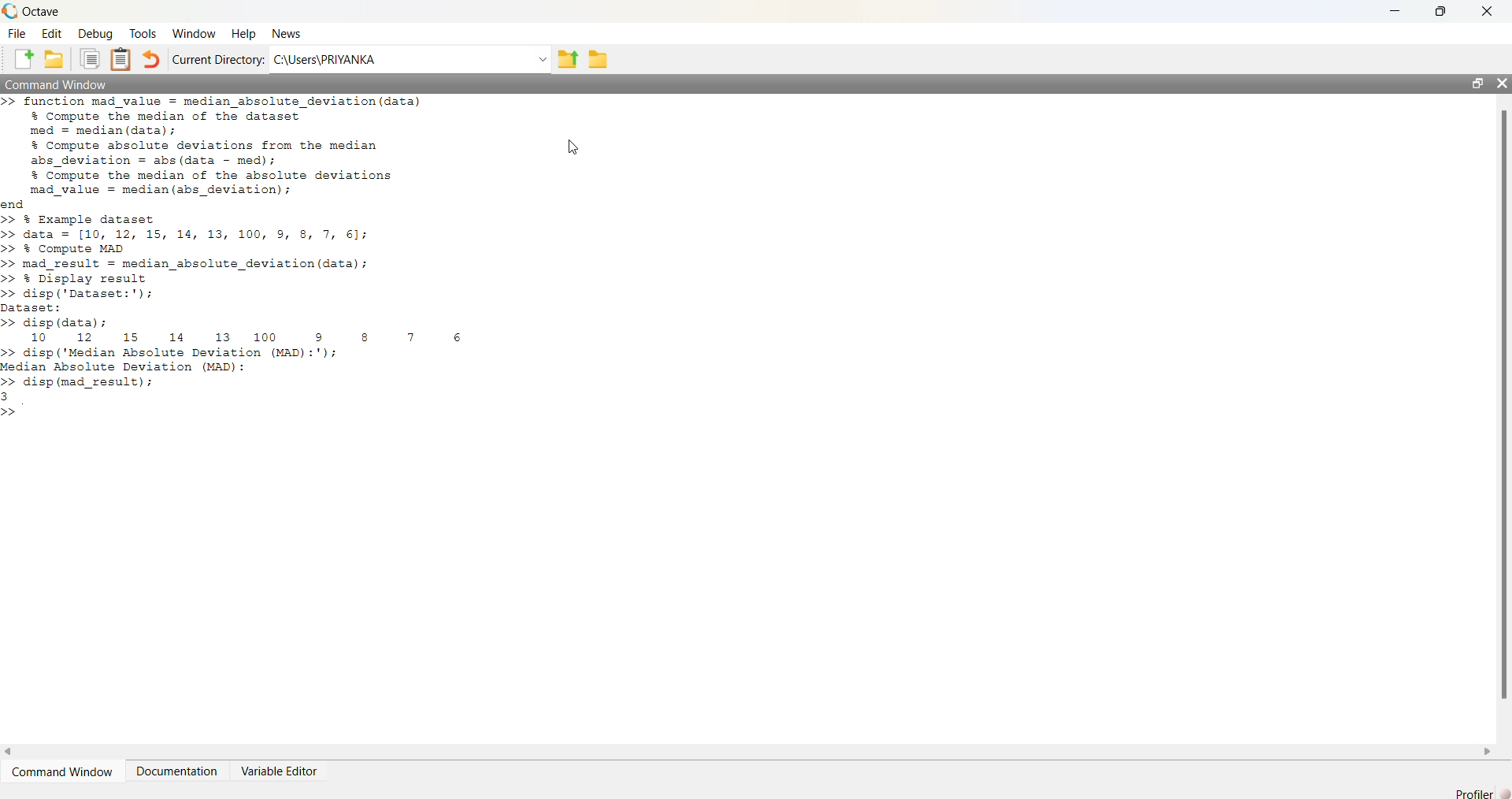 The height and width of the screenshot is (799, 1512). Describe the element at coordinates (1480, 84) in the screenshot. I see `restore` at that location.